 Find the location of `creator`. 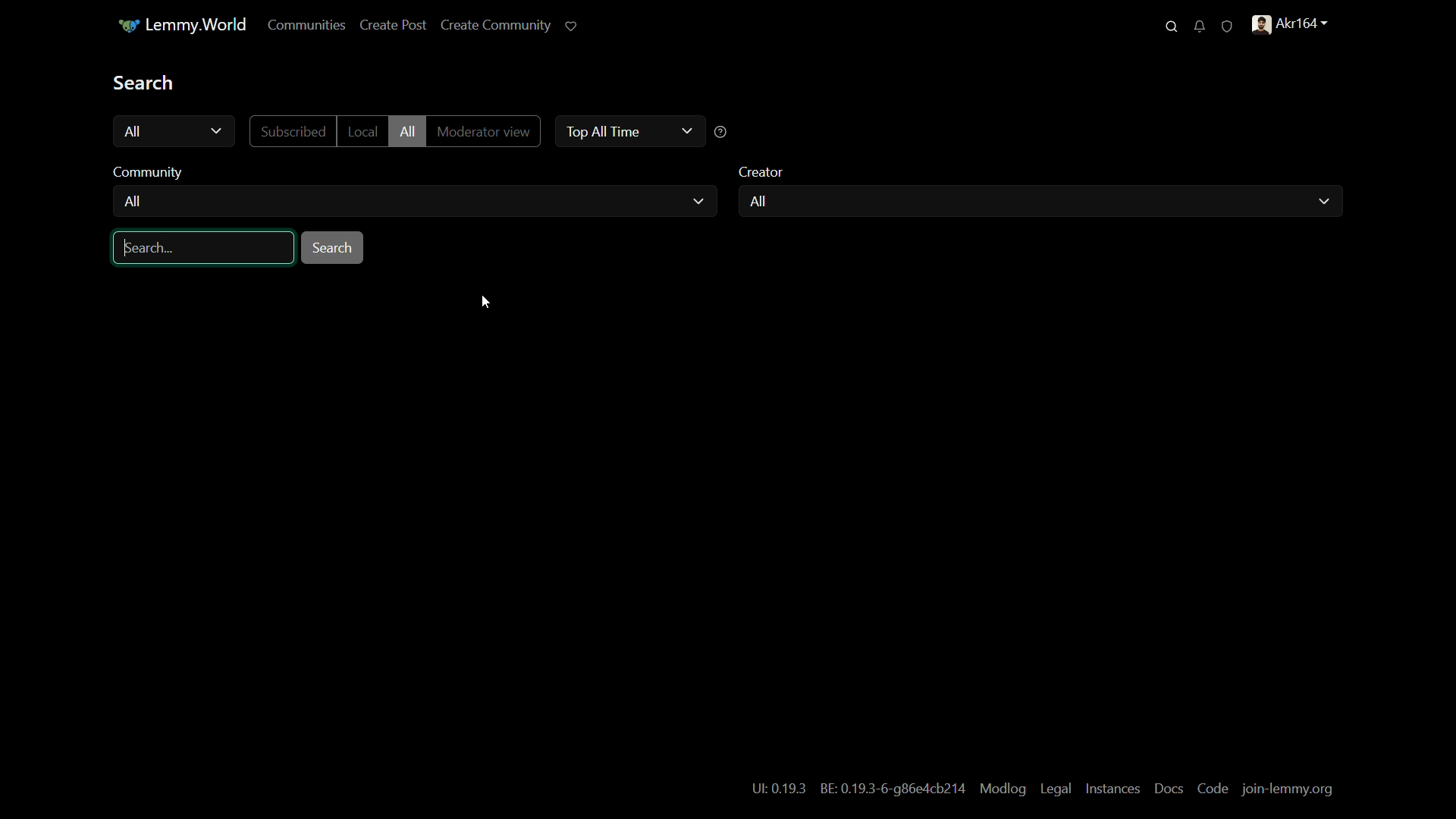

creator is located at coordinates (763, 172).